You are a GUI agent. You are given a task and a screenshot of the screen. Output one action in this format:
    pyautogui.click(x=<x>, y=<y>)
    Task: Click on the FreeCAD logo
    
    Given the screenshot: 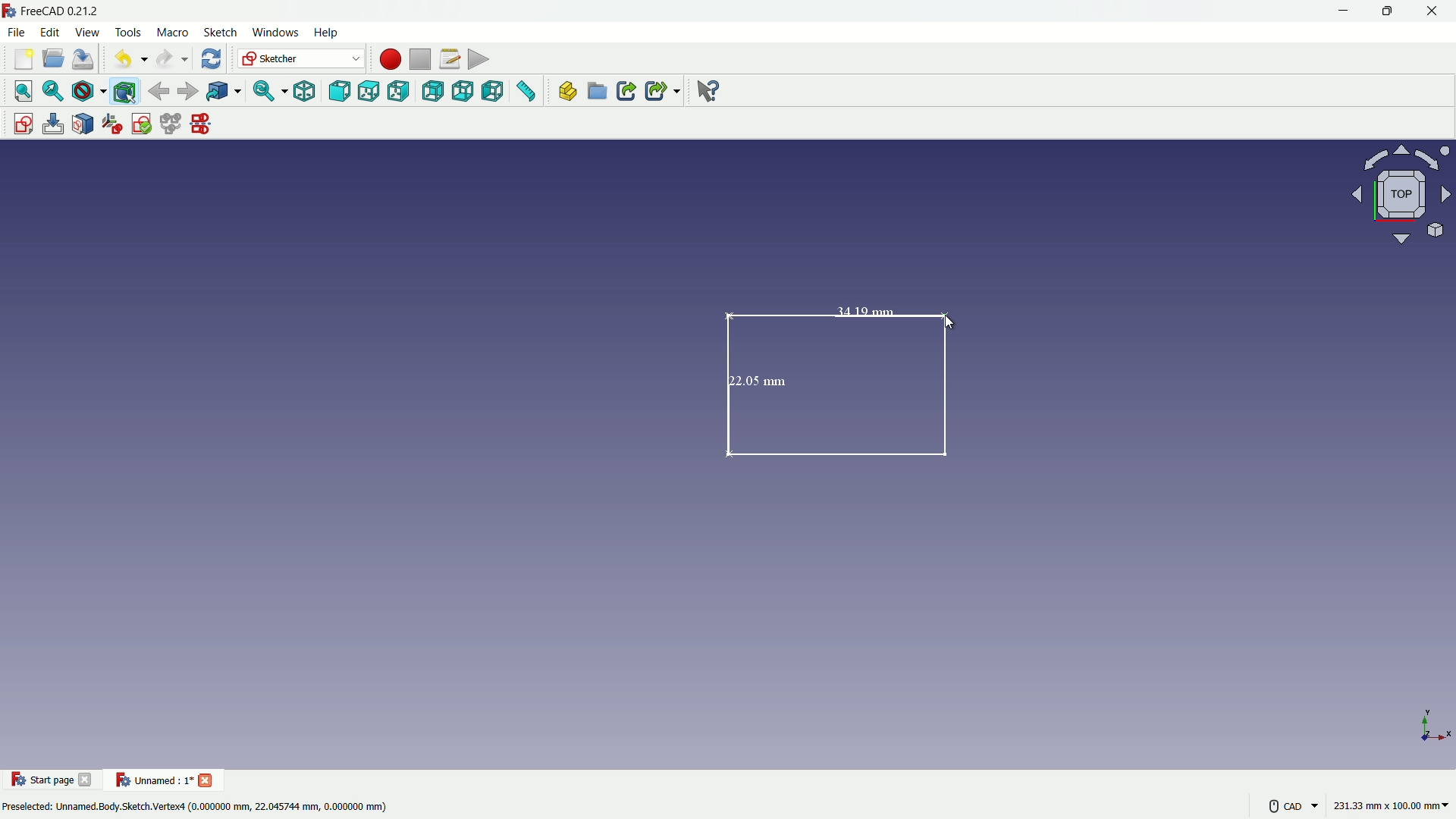 What is the action you would take?
    pyautogui.click(x=9, y=11)
    